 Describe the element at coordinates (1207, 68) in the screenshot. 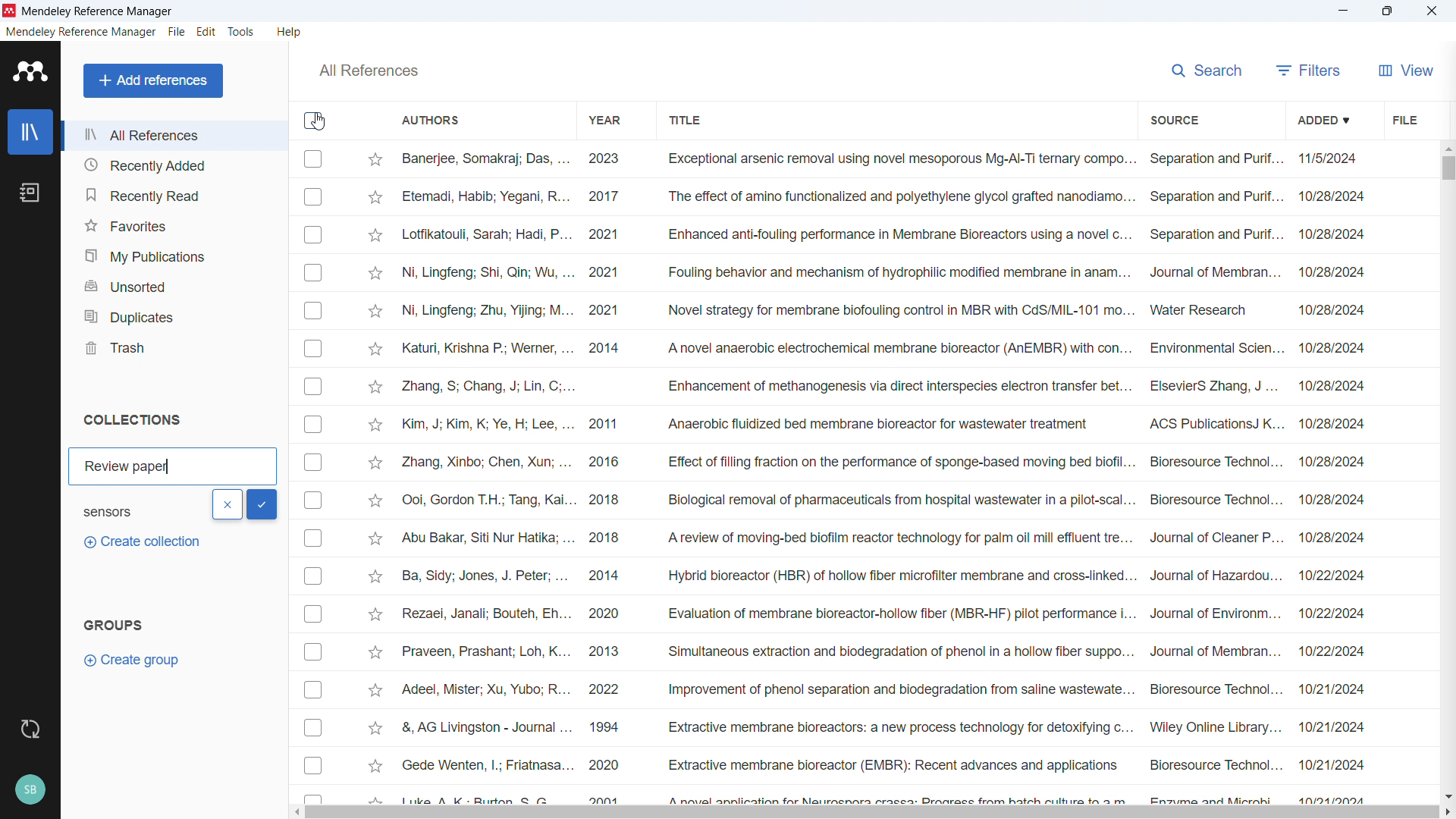

I see `Search ` at that location.